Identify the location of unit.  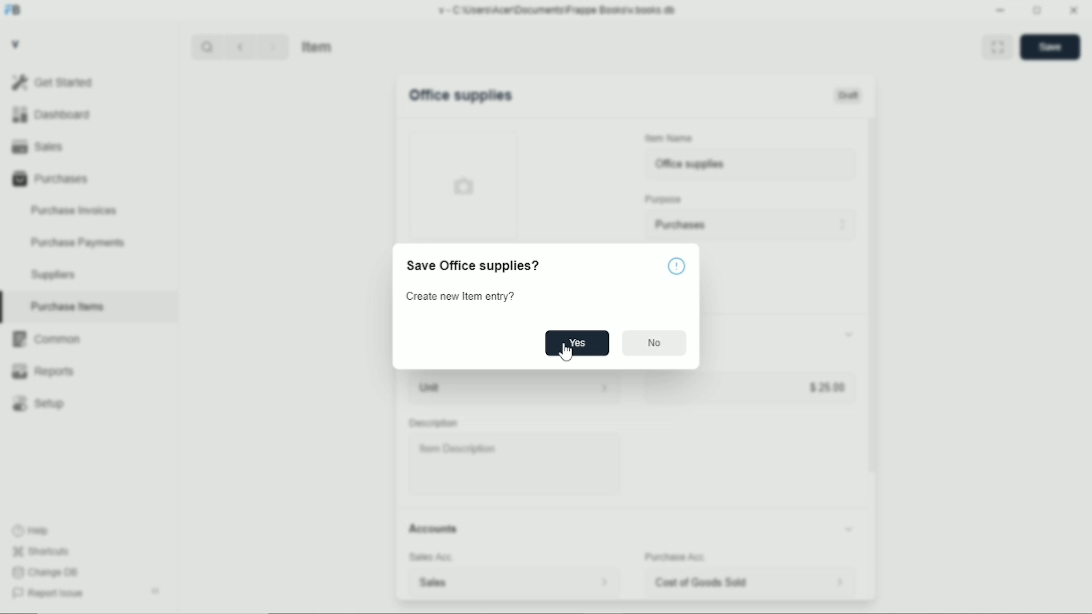
(490, 388).